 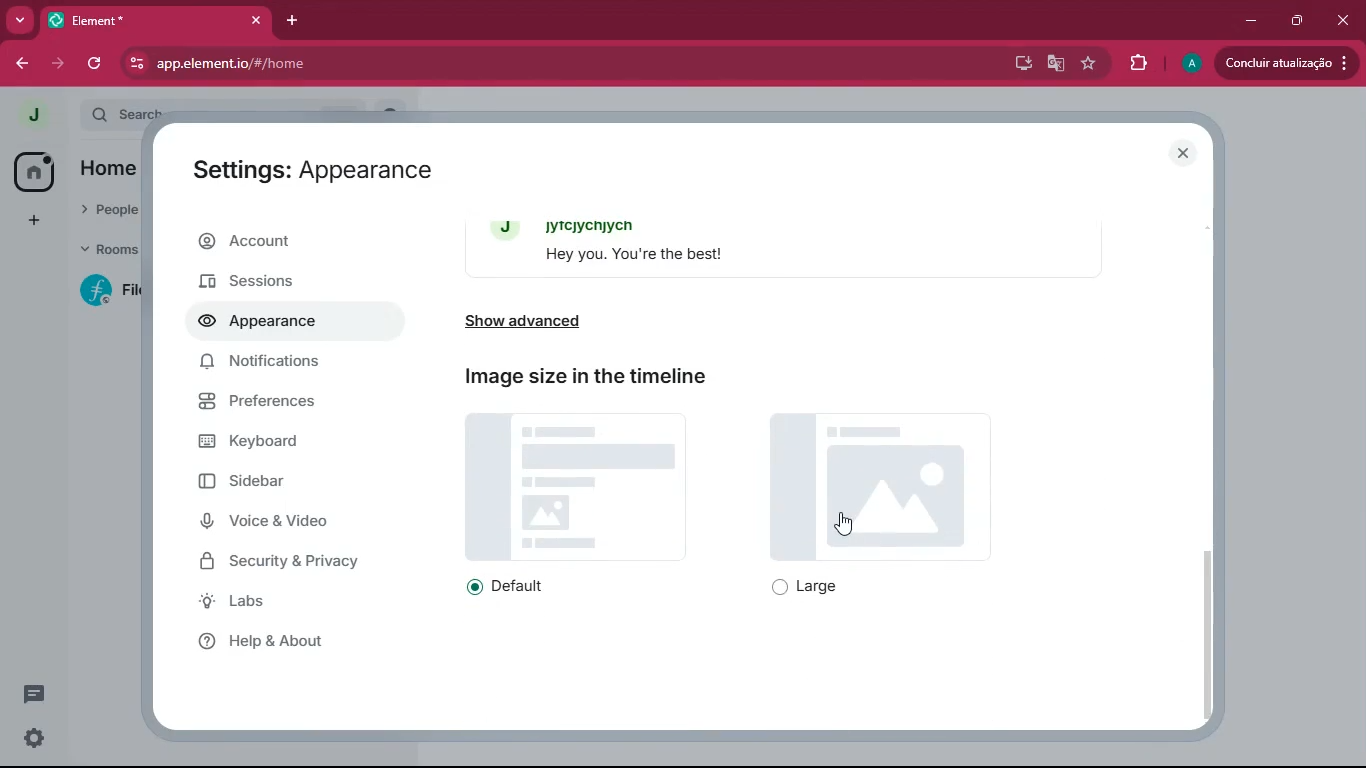 I want to click on conversations, so click(x=26, y=692).